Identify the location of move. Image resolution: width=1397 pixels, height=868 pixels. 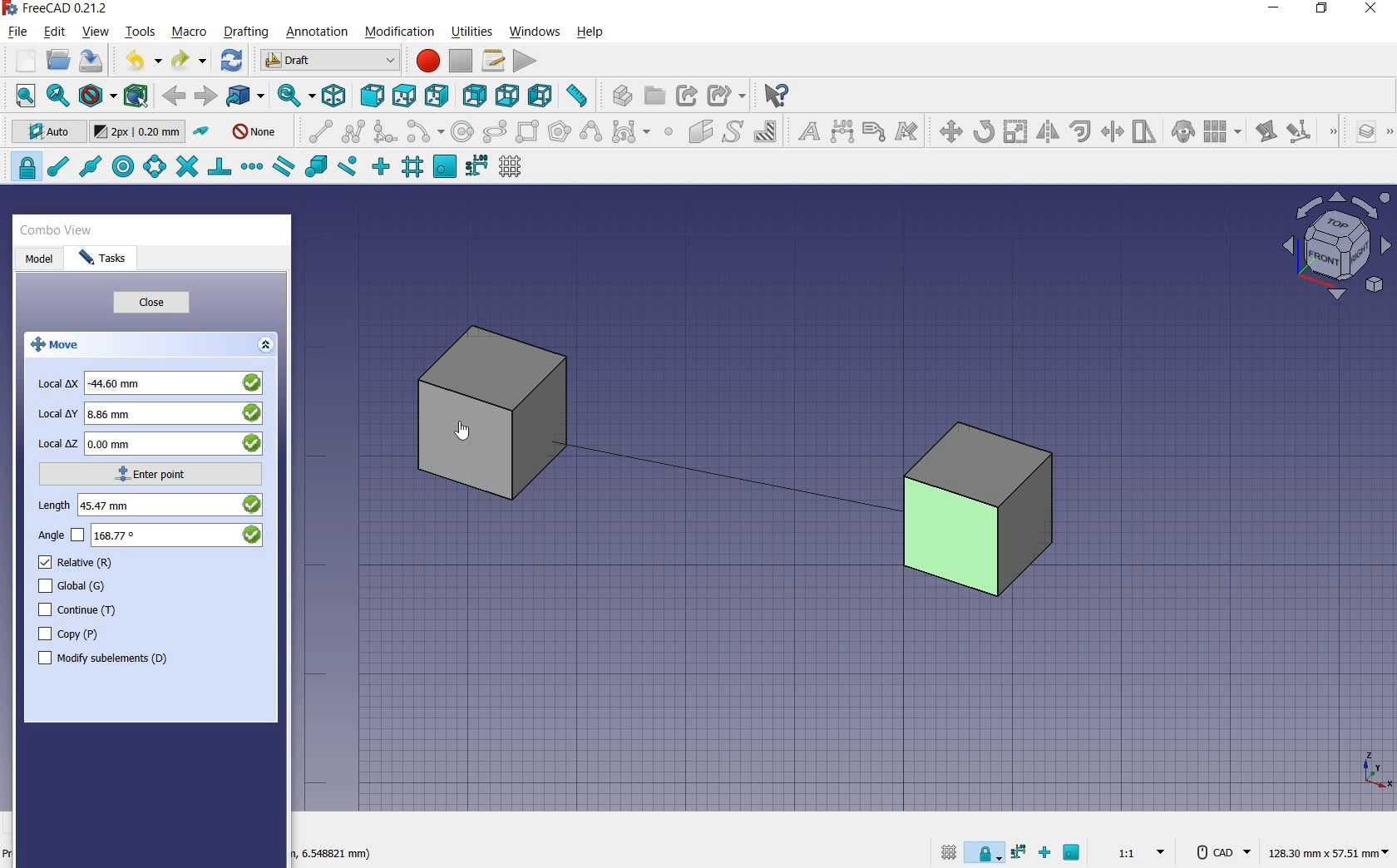
(86, 345).